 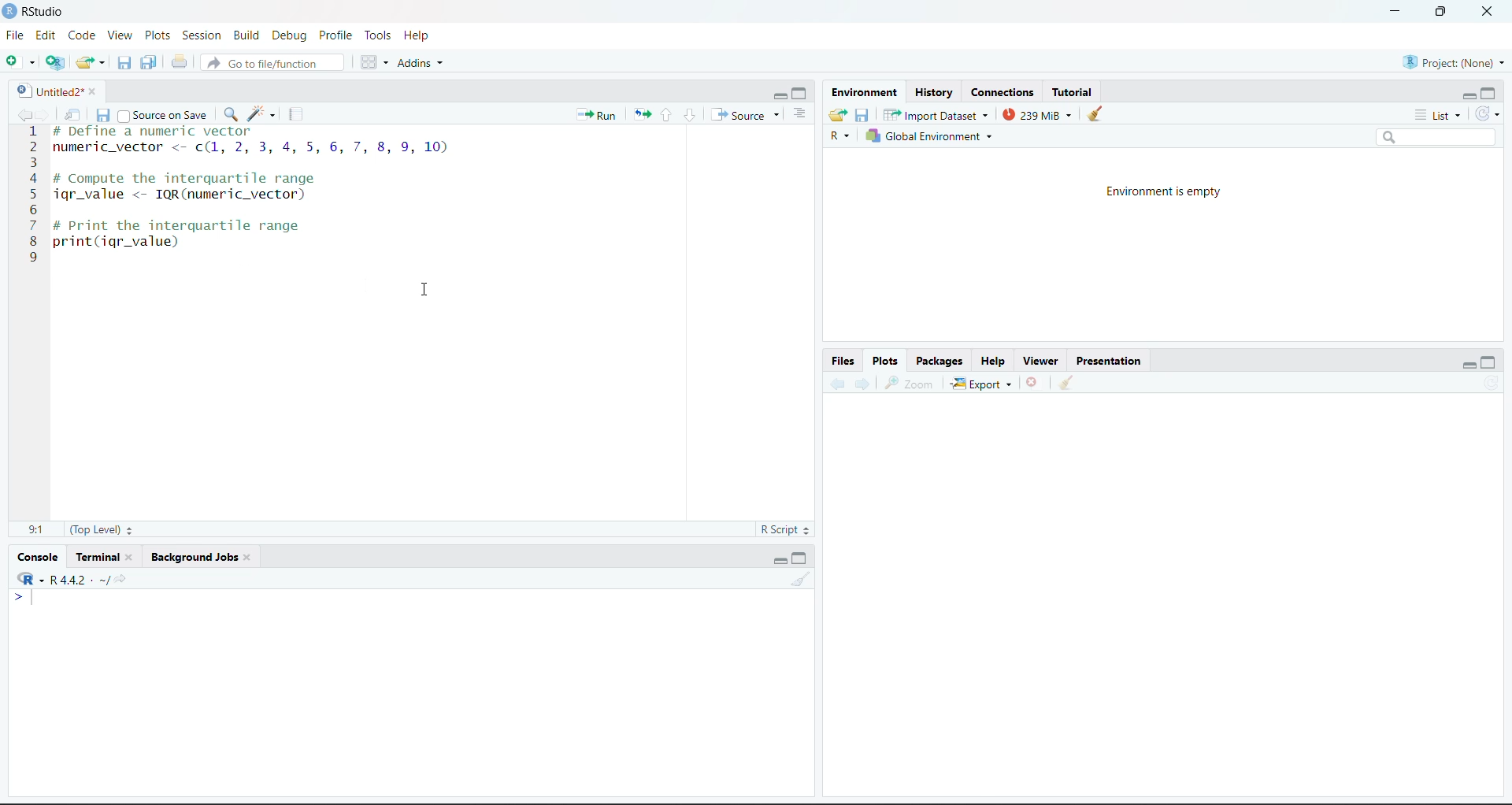 I want to click on Maximize, so click(x=802, y=557).